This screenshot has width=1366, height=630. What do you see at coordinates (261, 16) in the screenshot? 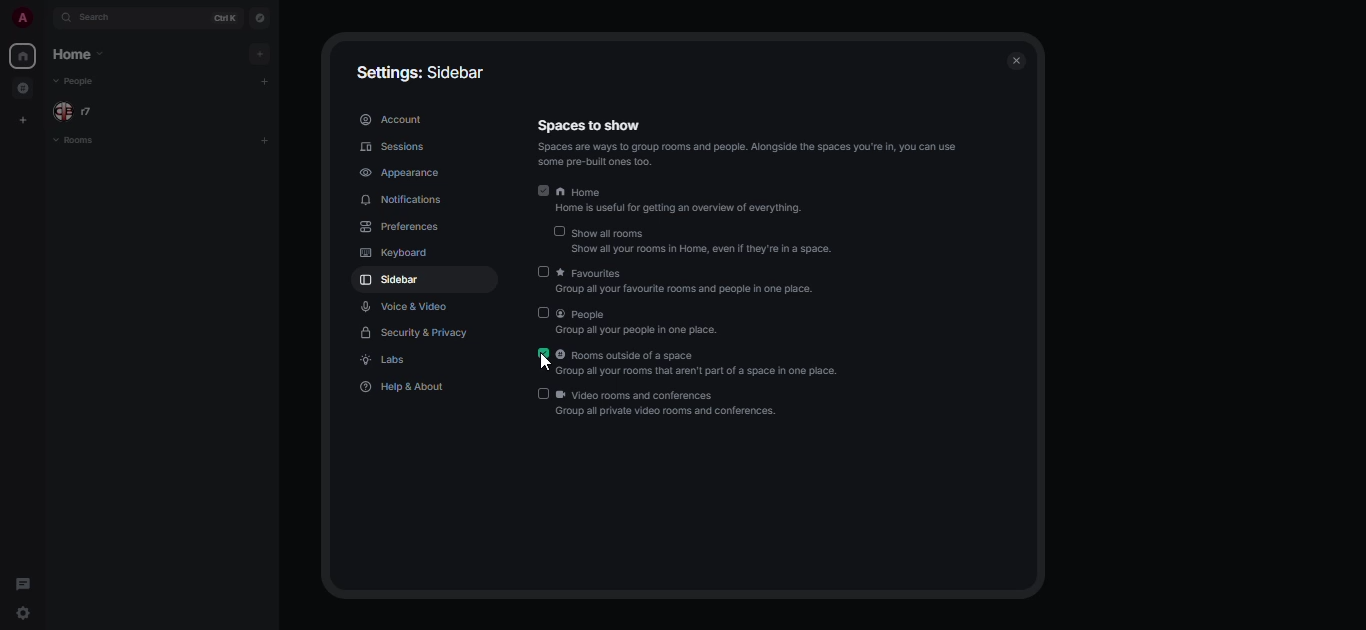
I see `navigator` at bounding box center [261, 16].